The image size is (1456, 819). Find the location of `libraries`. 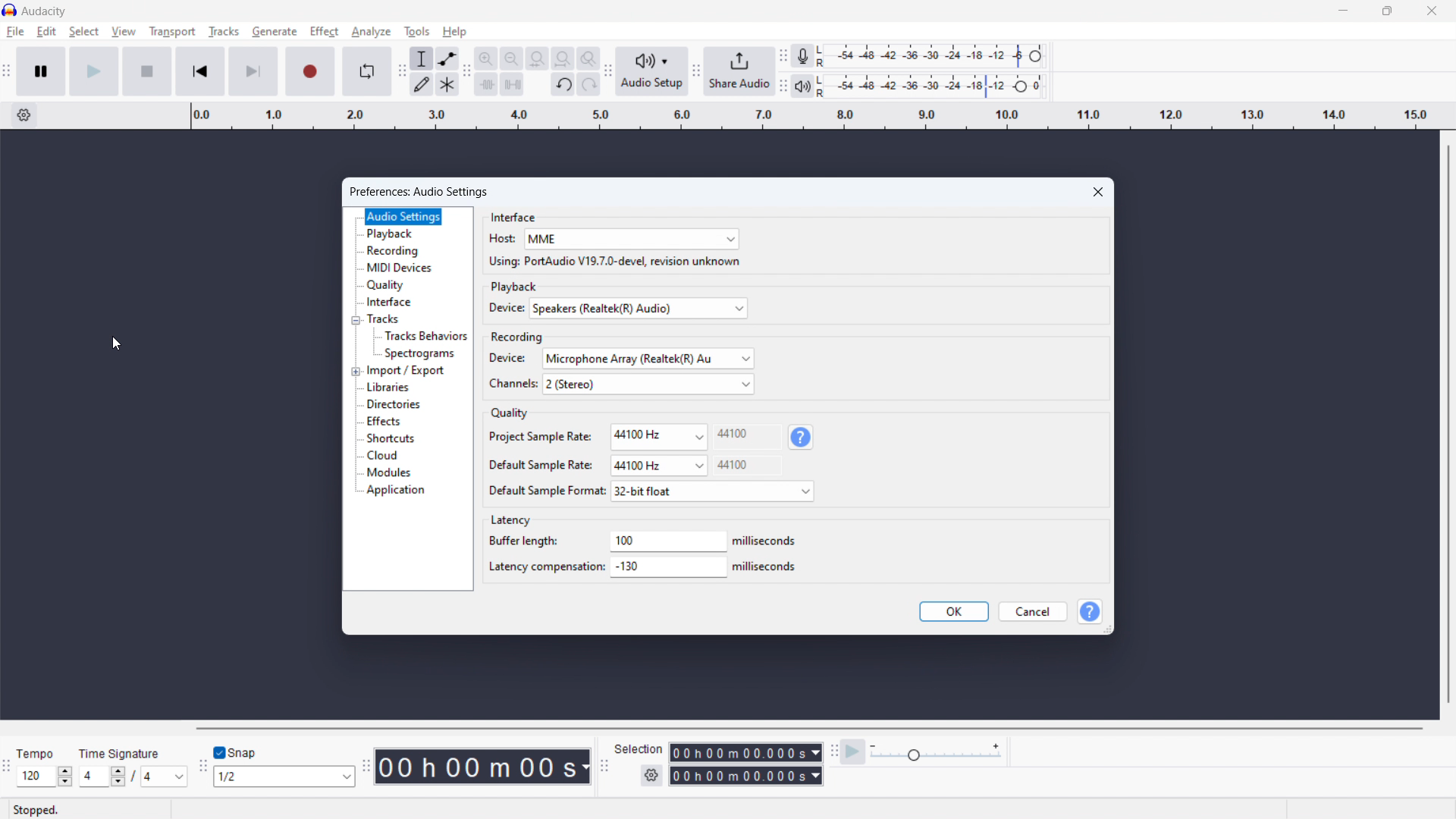

libraries is located at coordinates (389, 388).